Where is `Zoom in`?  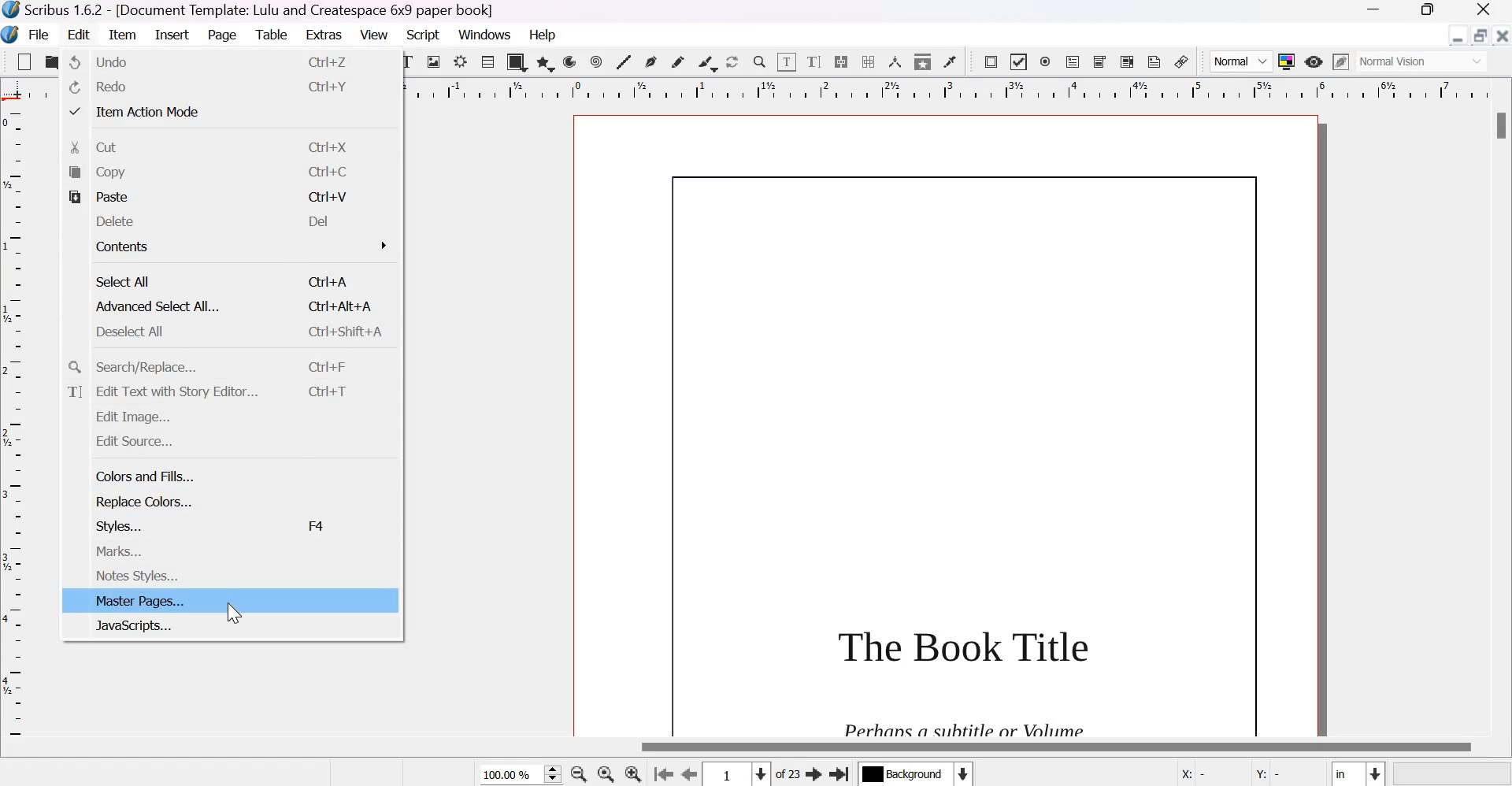 Zoom in is located at coordinates (636, 773).